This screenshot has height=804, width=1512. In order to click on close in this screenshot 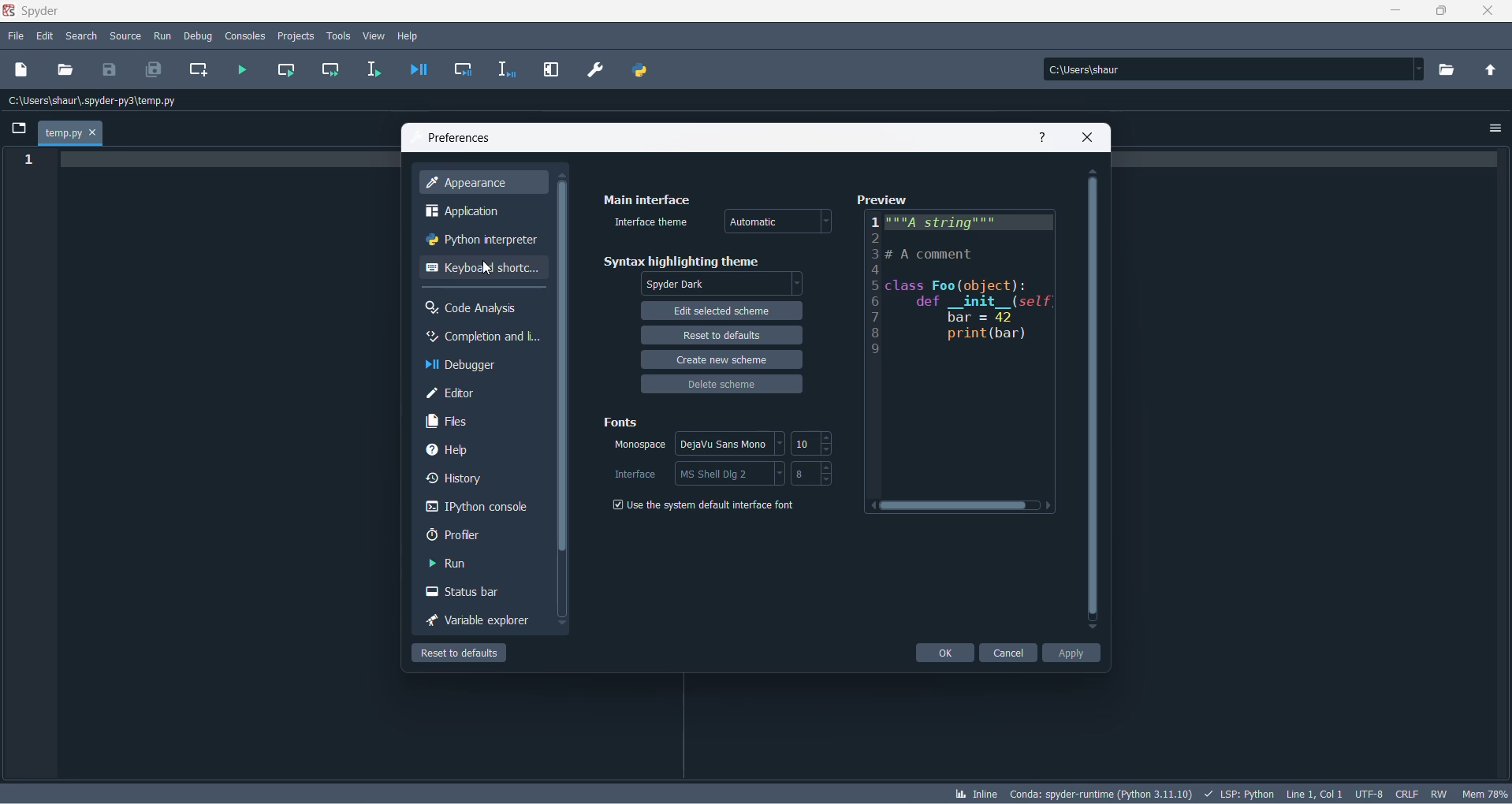, I will do `click(1089, 139)`.